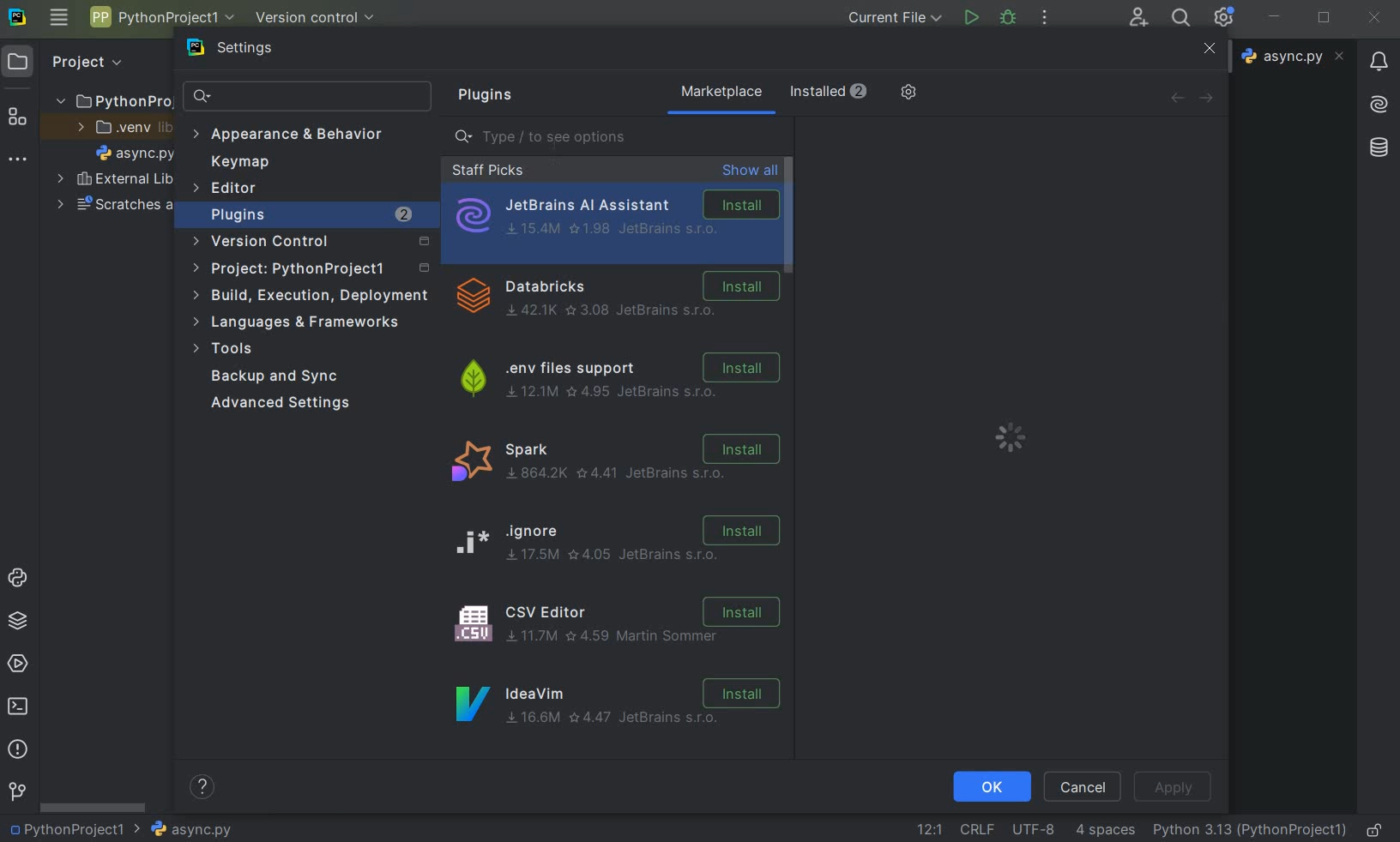  Describe the element at coordinates (986, 787) in the screenshot. I see `ok` at that location.